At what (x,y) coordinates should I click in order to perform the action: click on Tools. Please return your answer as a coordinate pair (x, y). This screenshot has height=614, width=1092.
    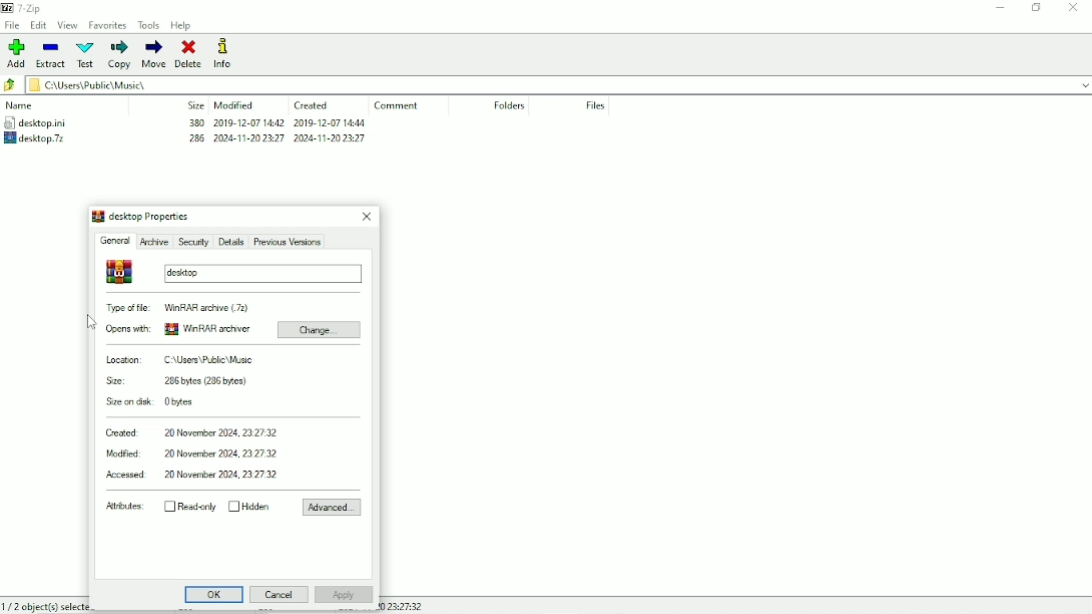
    Looking at the image, I should click on (149, 25).